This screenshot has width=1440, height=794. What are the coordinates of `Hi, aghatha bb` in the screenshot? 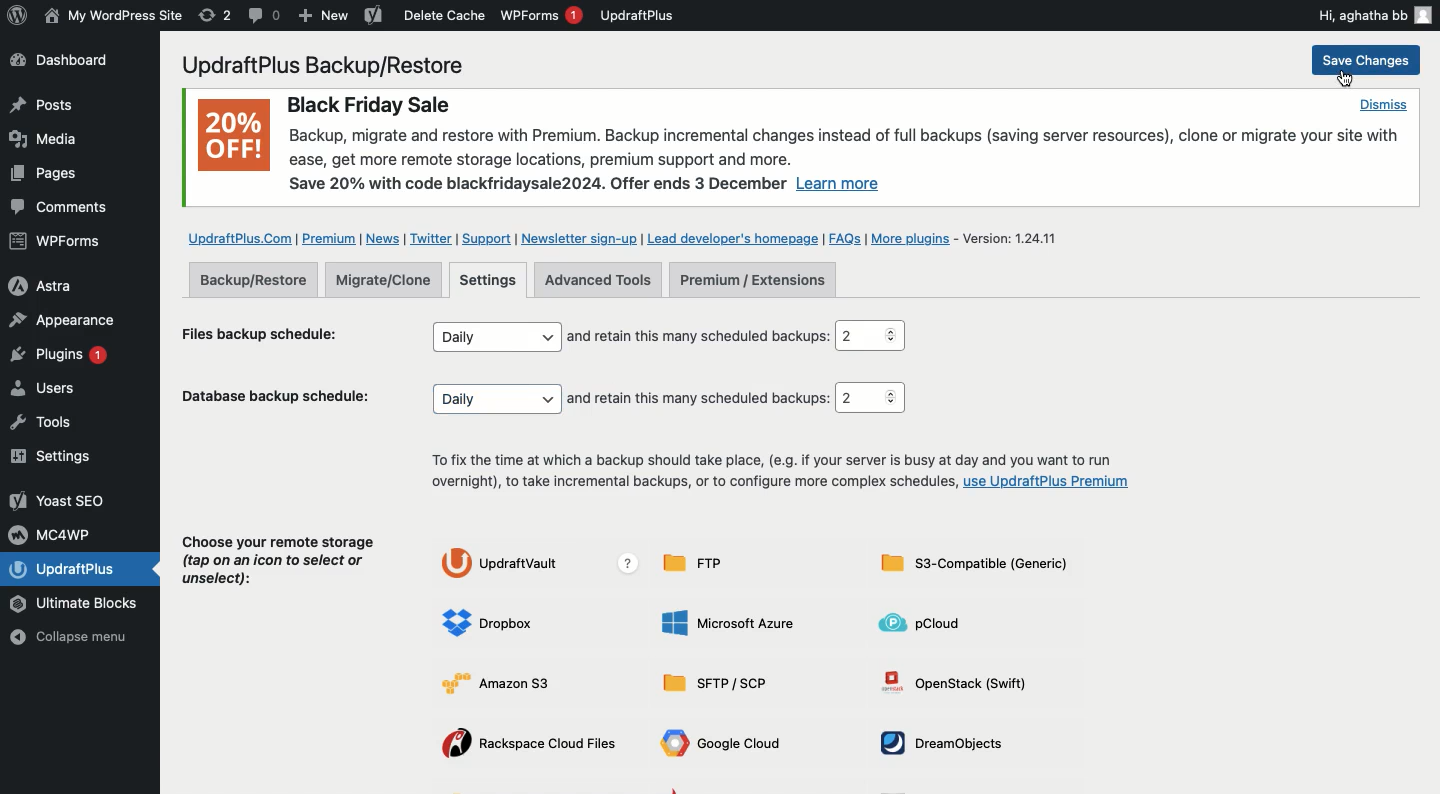 It's located at (1373, 14).